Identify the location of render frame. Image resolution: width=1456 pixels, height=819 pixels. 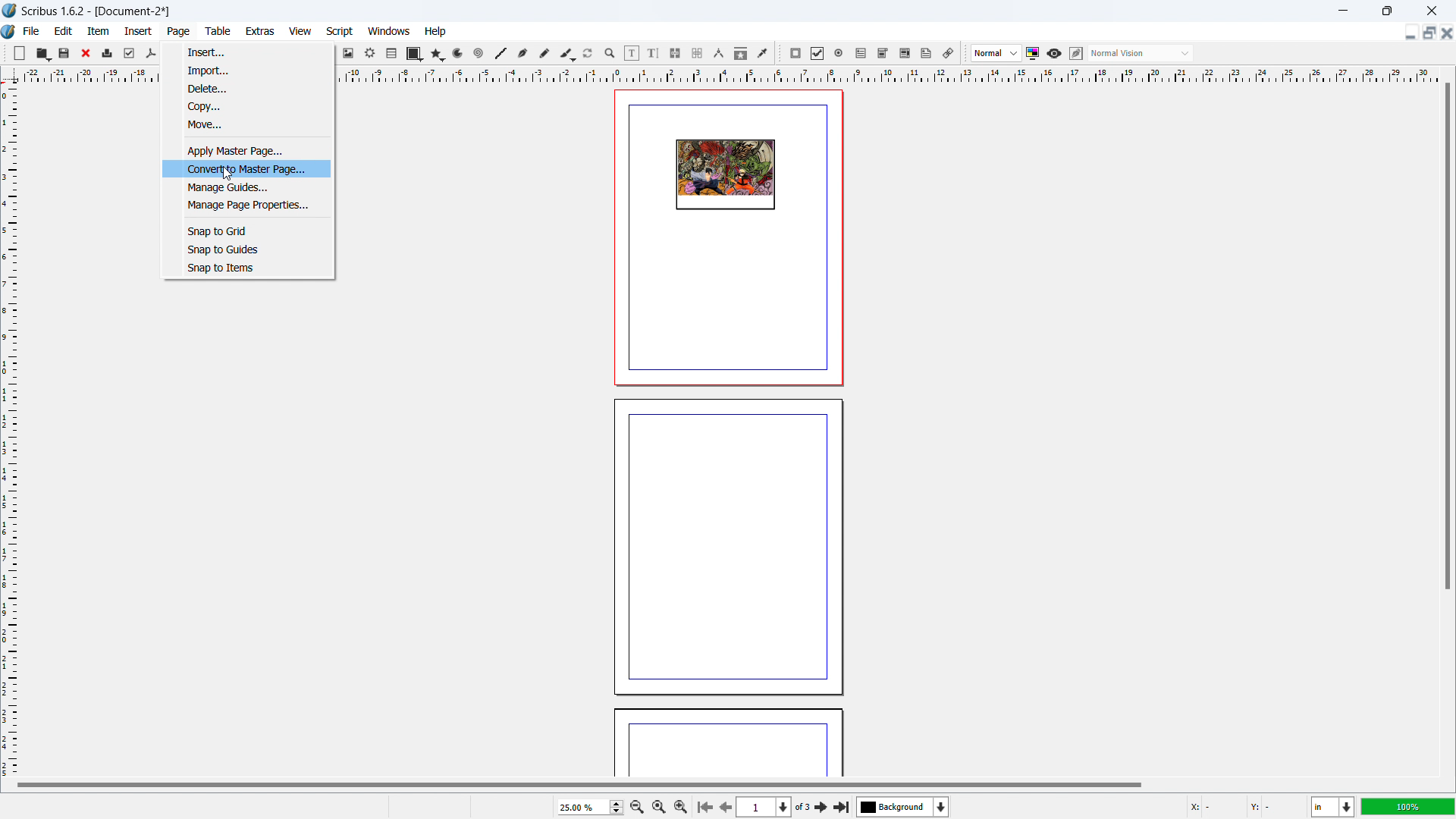
(370, 53).